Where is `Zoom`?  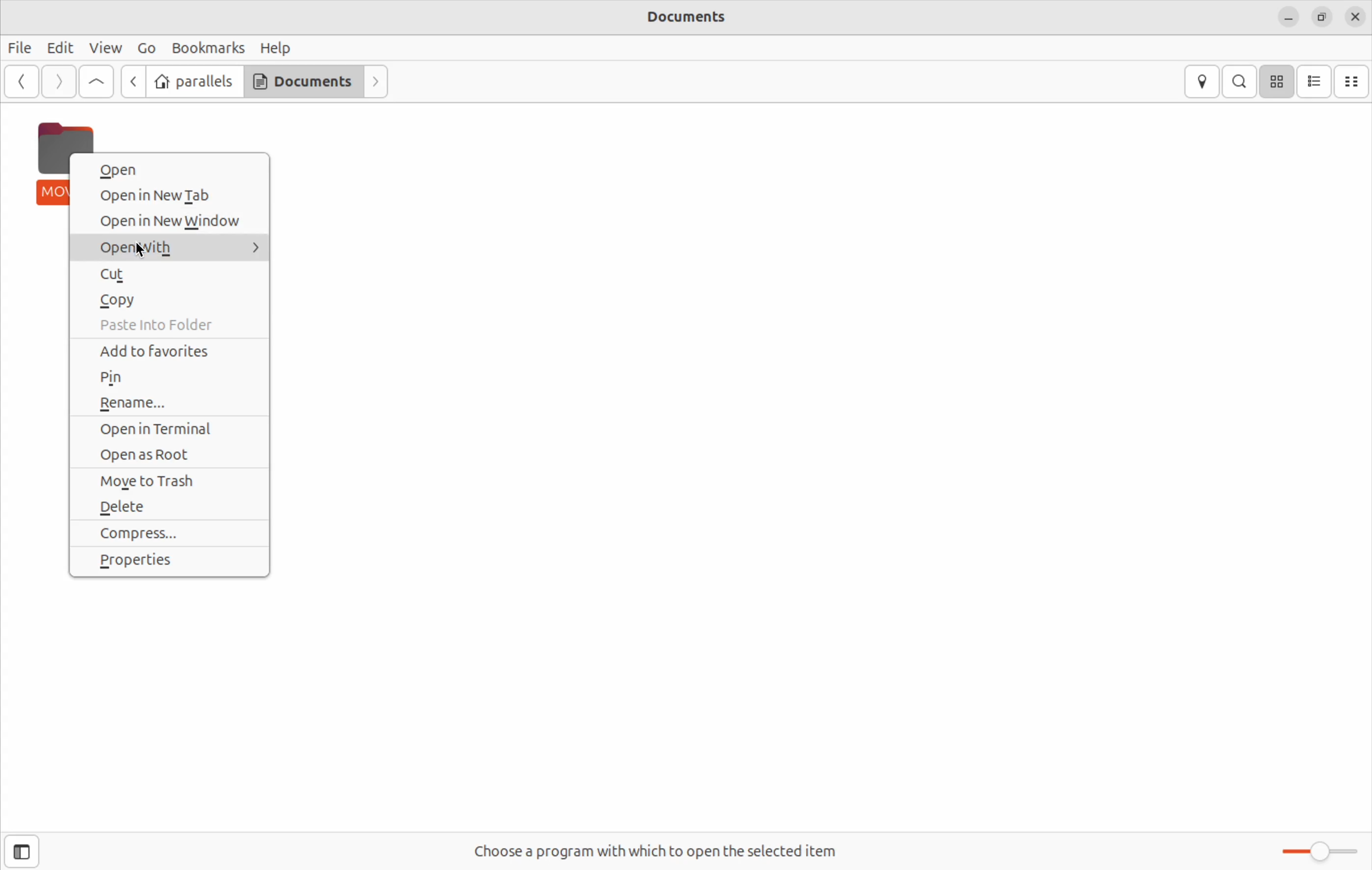
Zoom is located at coordinates (1316, 849).